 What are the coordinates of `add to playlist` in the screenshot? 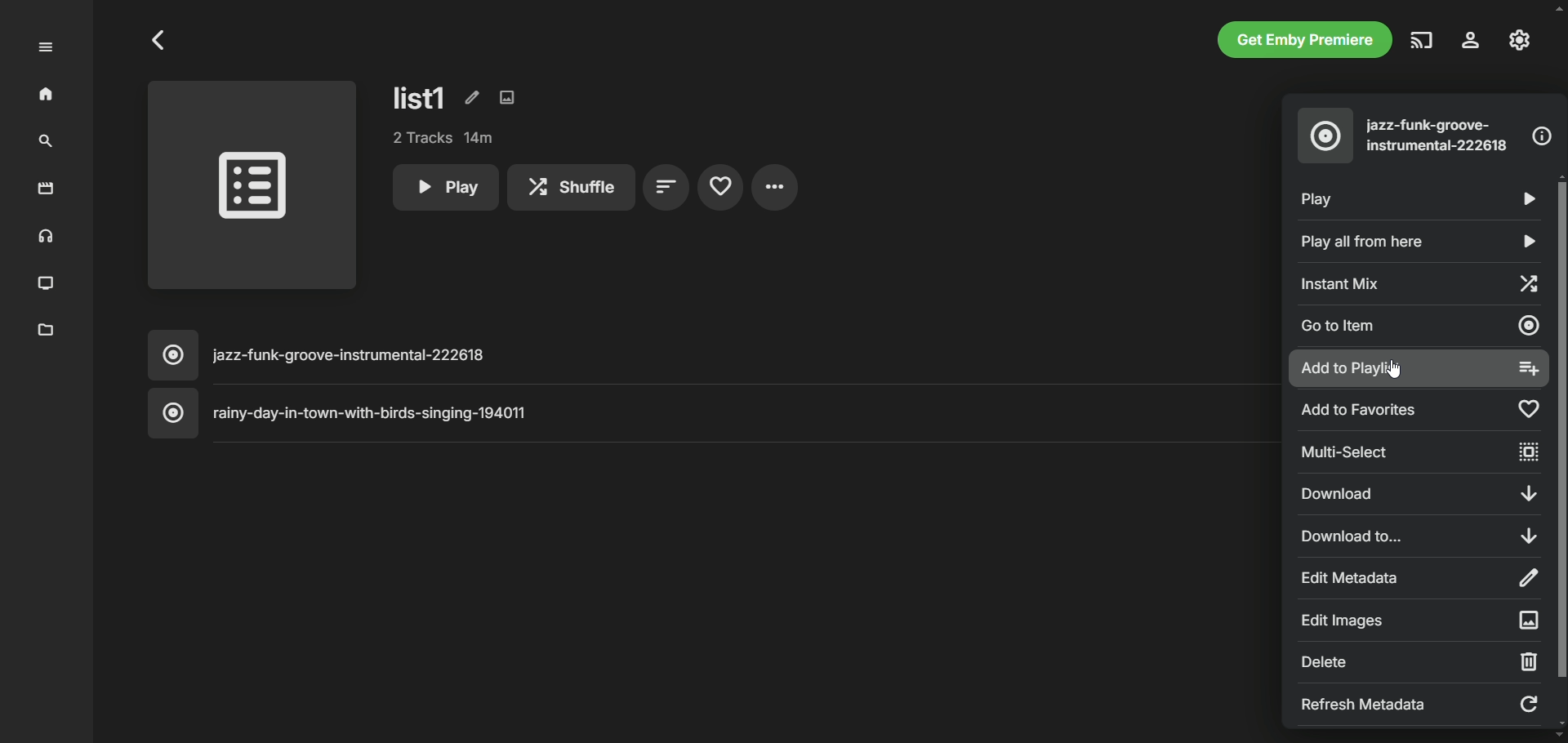 It's located at (1419, 369).